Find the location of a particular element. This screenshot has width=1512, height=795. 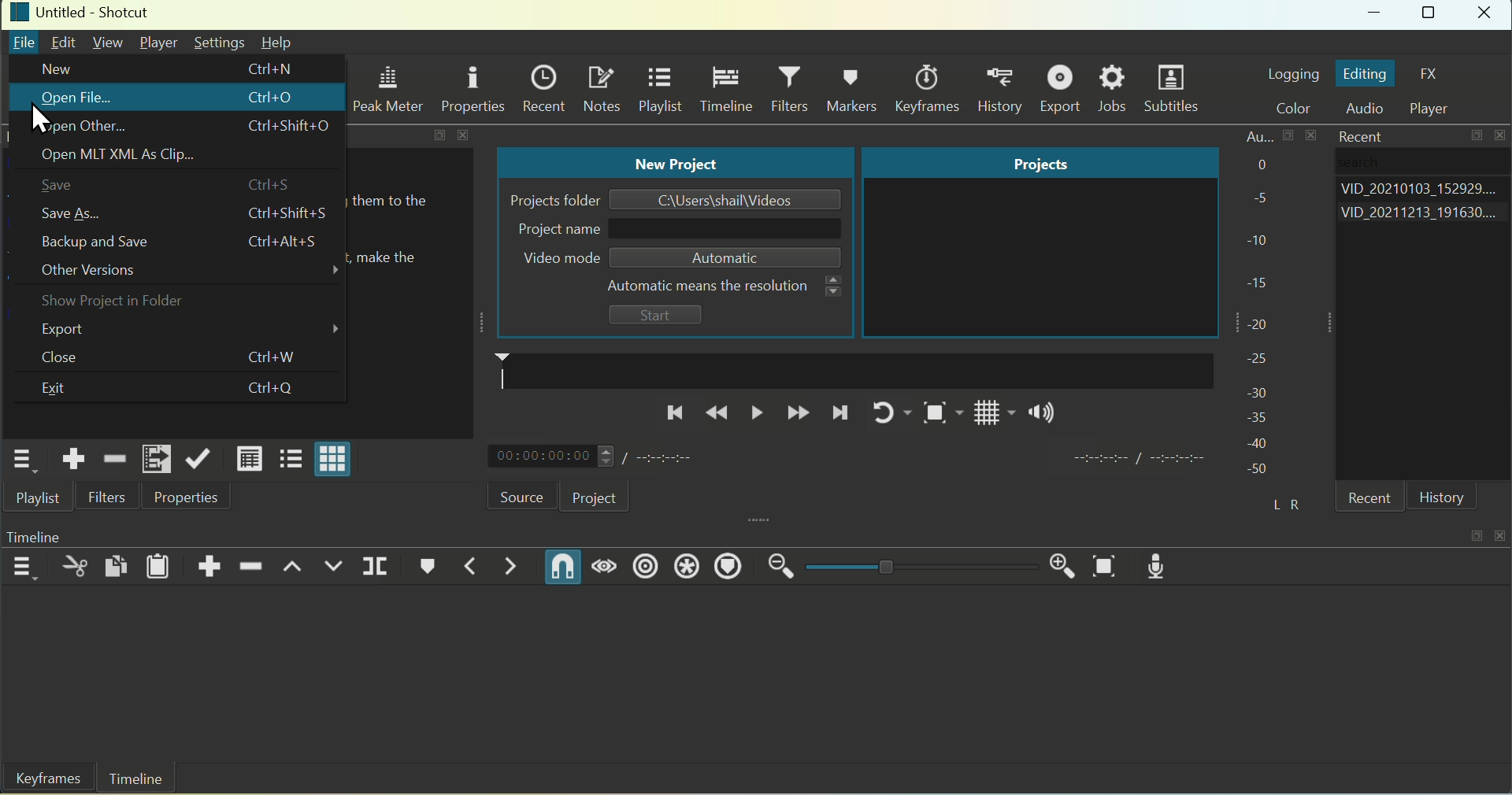

History is located at coordinates (1004, 89).